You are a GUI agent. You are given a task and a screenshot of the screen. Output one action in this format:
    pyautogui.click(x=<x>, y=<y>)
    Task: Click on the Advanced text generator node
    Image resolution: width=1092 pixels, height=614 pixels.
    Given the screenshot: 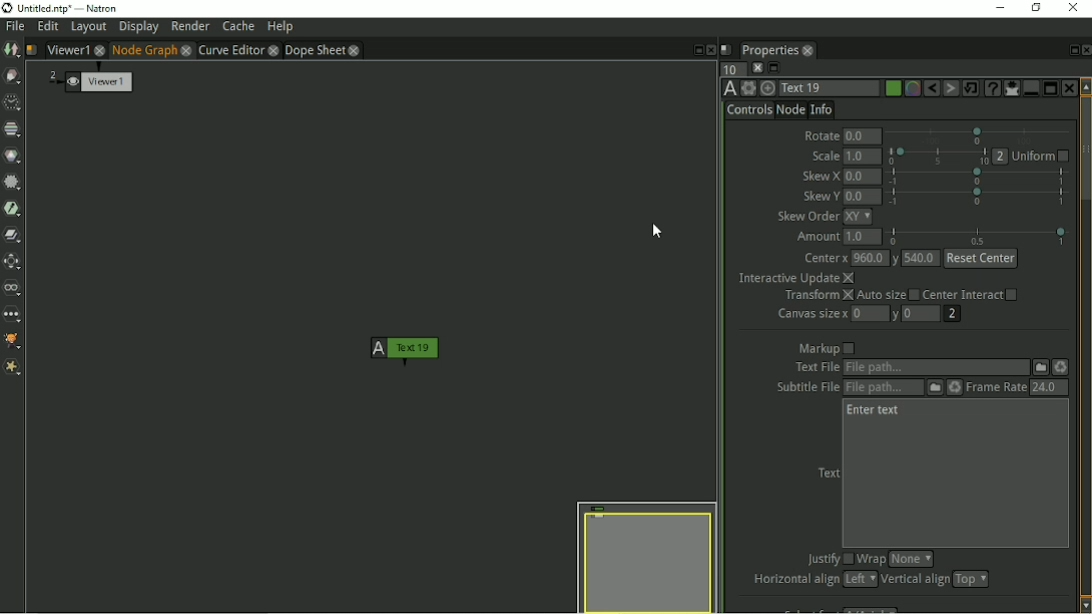 What is the action you would take?
    pyautogui.click(x=992, y=88)
    